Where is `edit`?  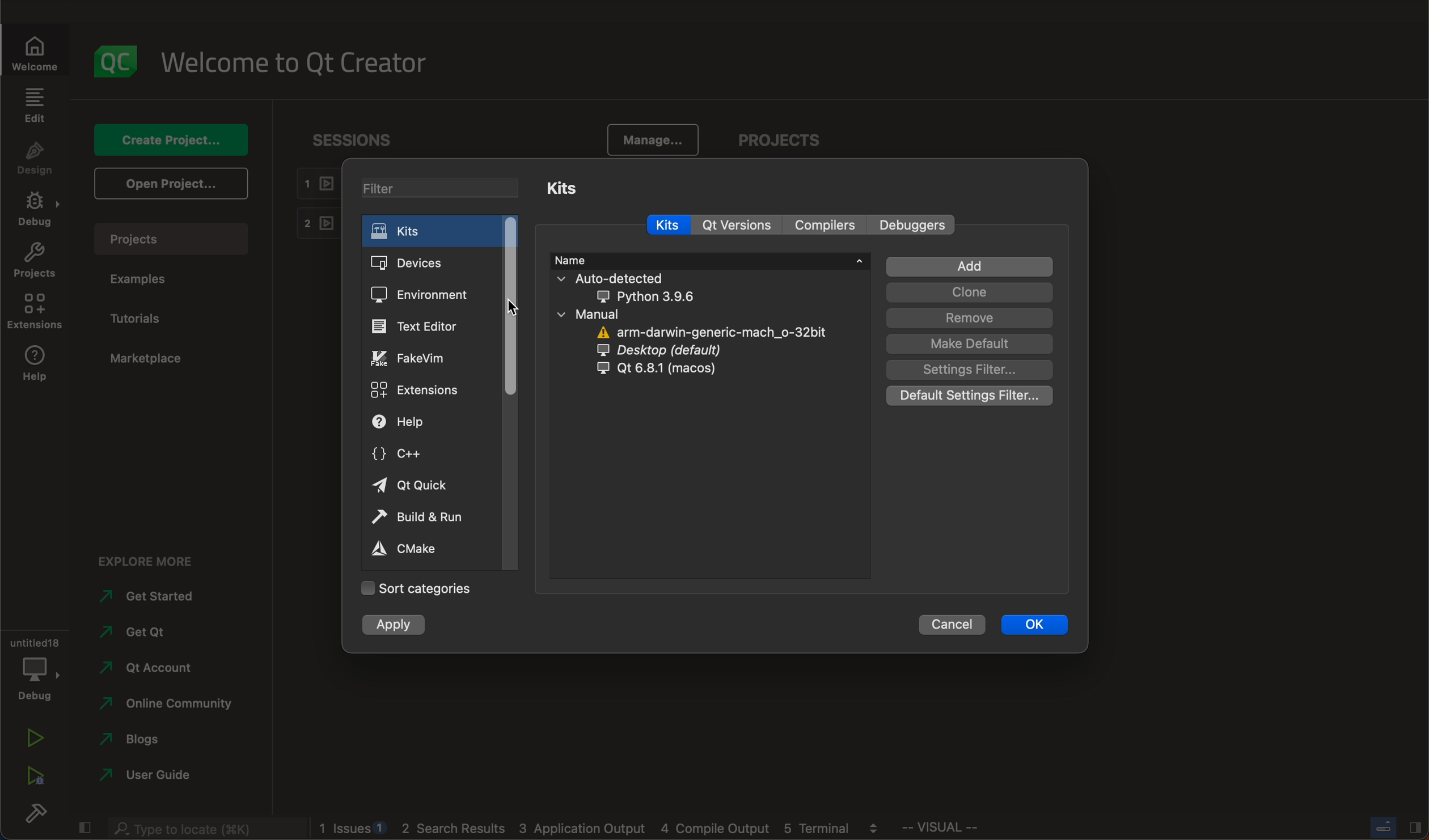
edit is located at coordinates (36, 104).